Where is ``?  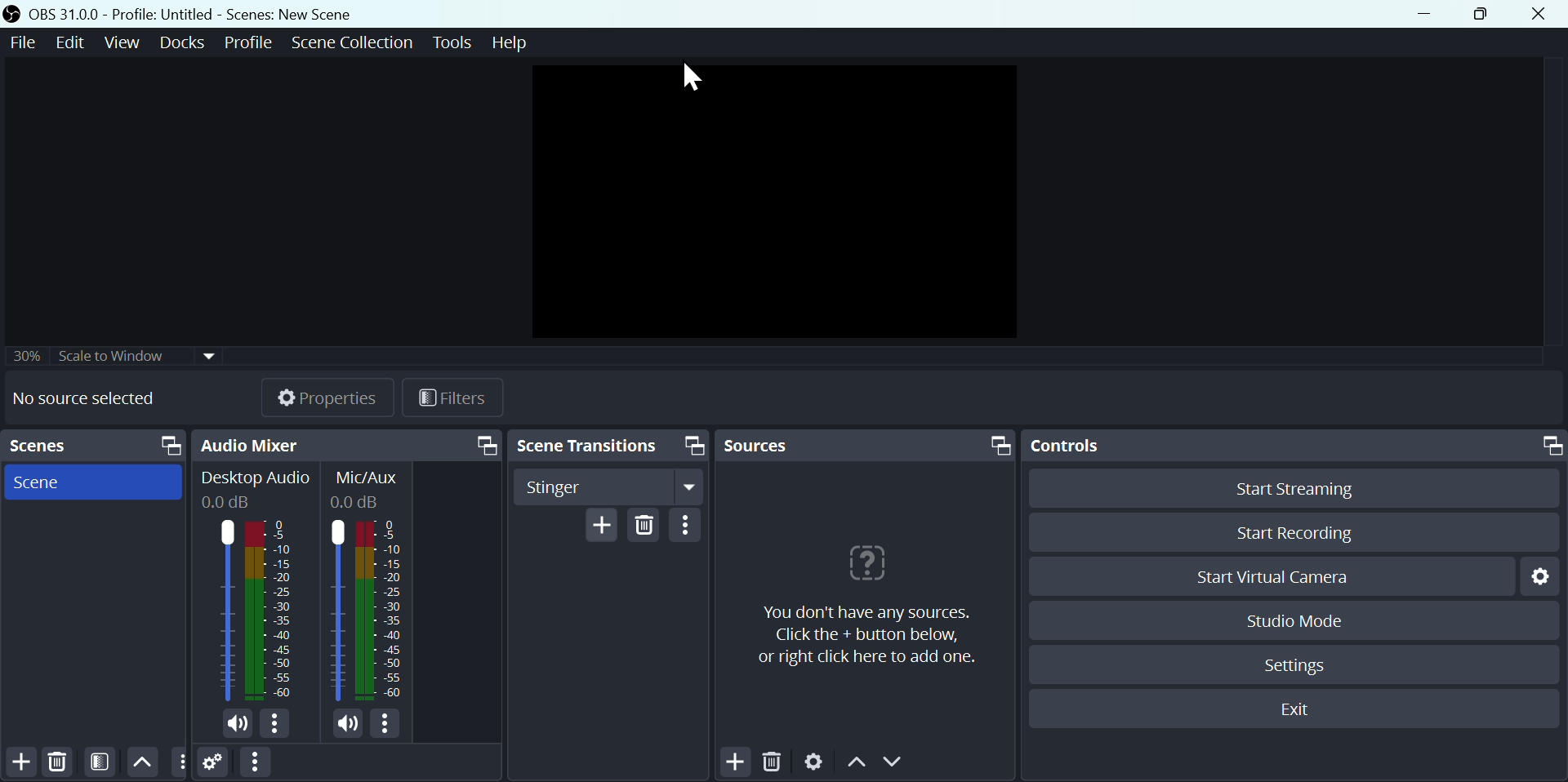
 is located at coordinates (351, 41).